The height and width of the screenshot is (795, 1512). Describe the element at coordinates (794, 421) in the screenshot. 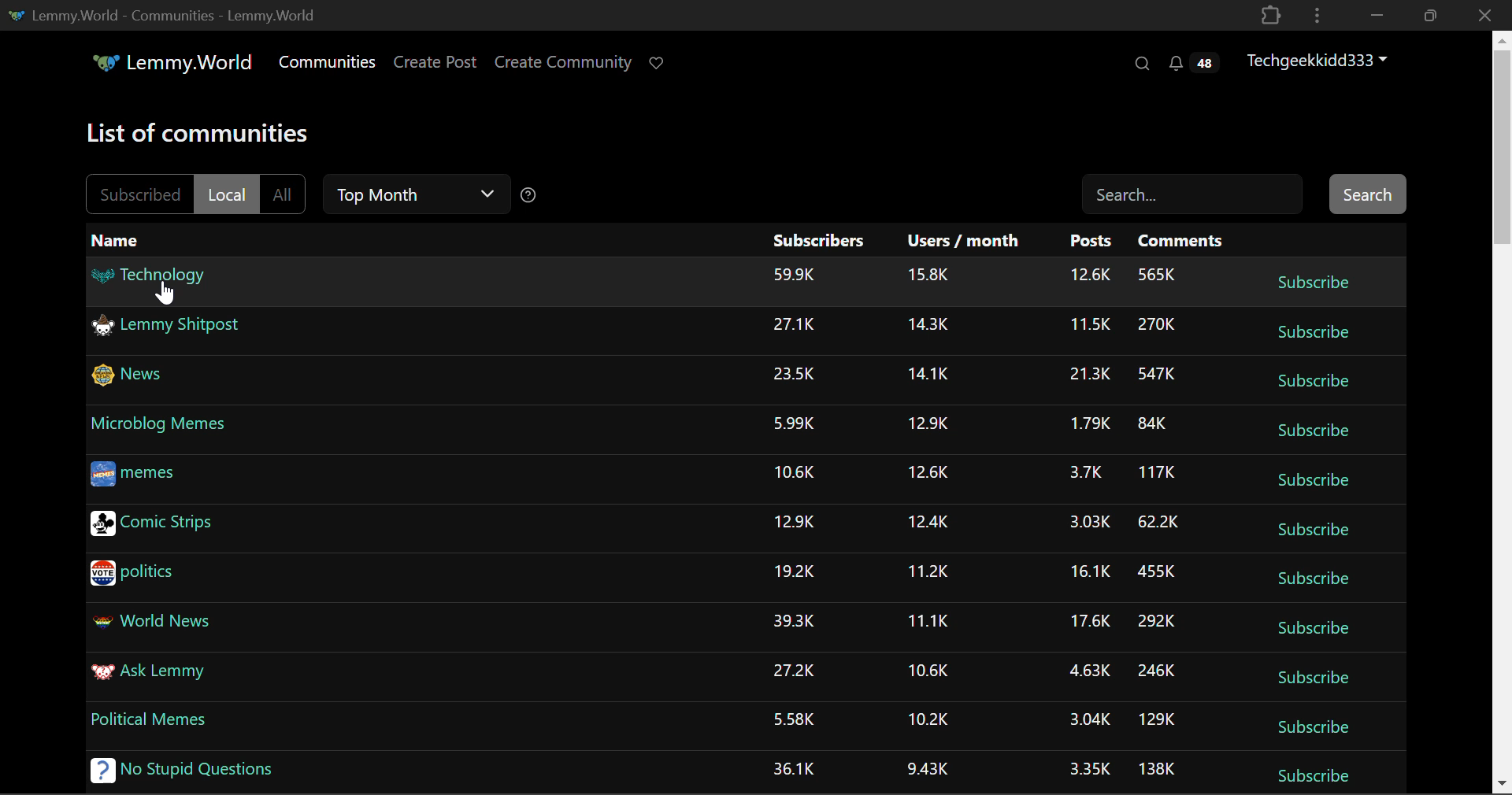

I see `Amount ` at that location.